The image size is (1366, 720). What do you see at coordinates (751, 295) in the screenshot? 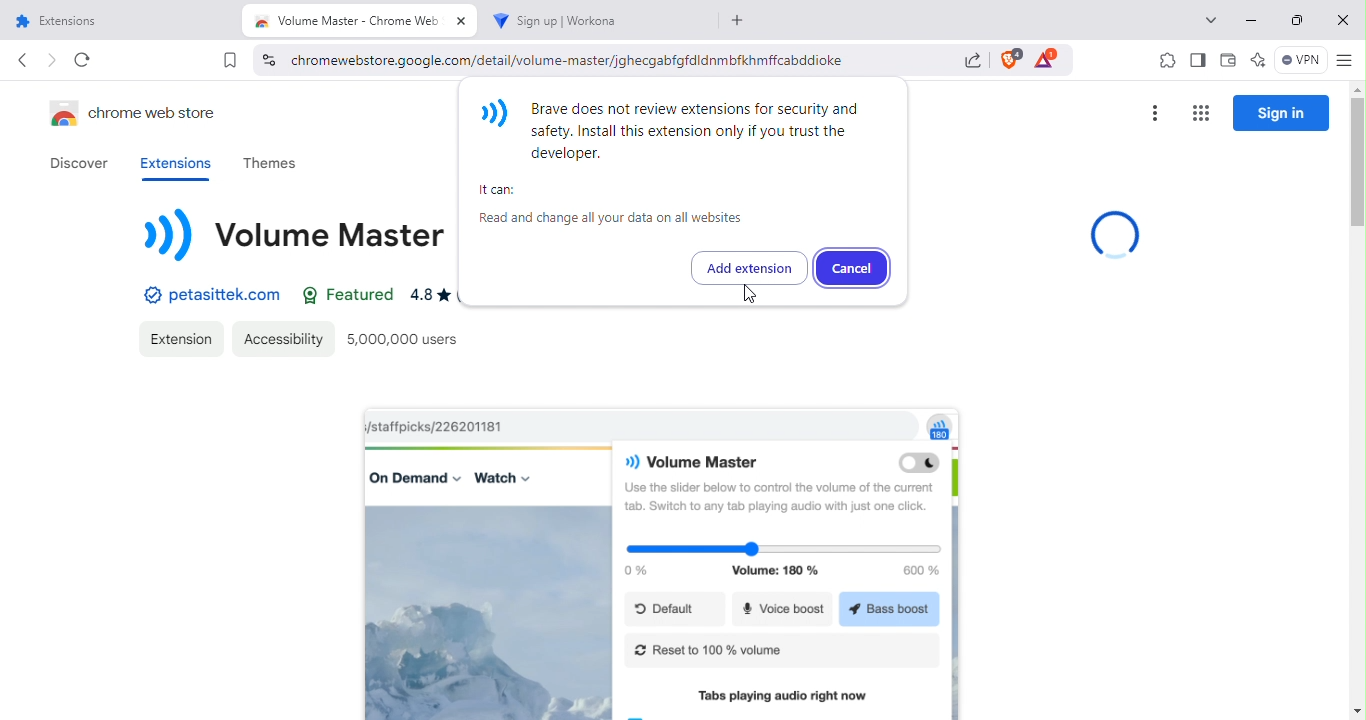
I see `cursor` at bounding box center [751, 295].